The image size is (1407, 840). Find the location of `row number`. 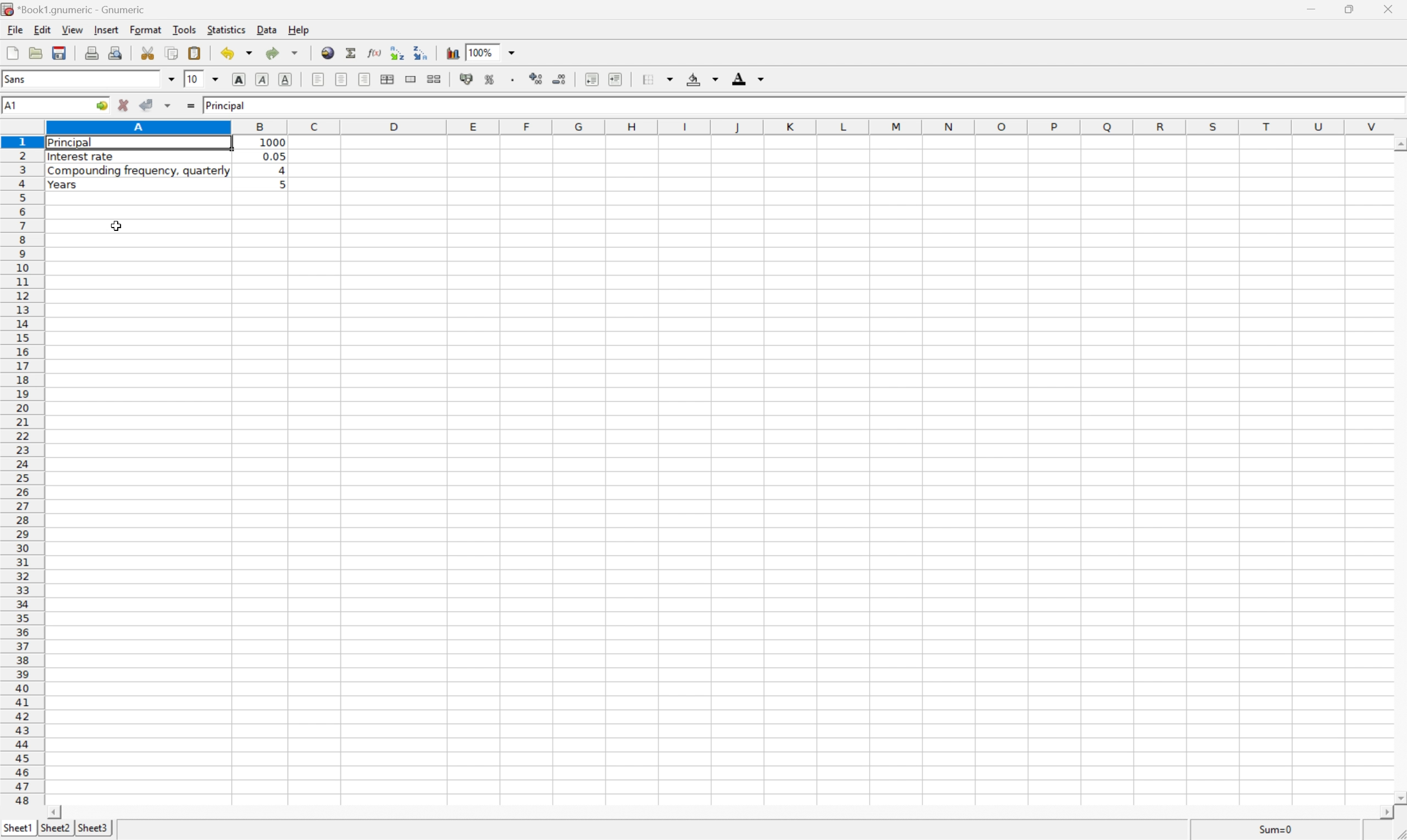

row number is located at coordinates (20, 470).